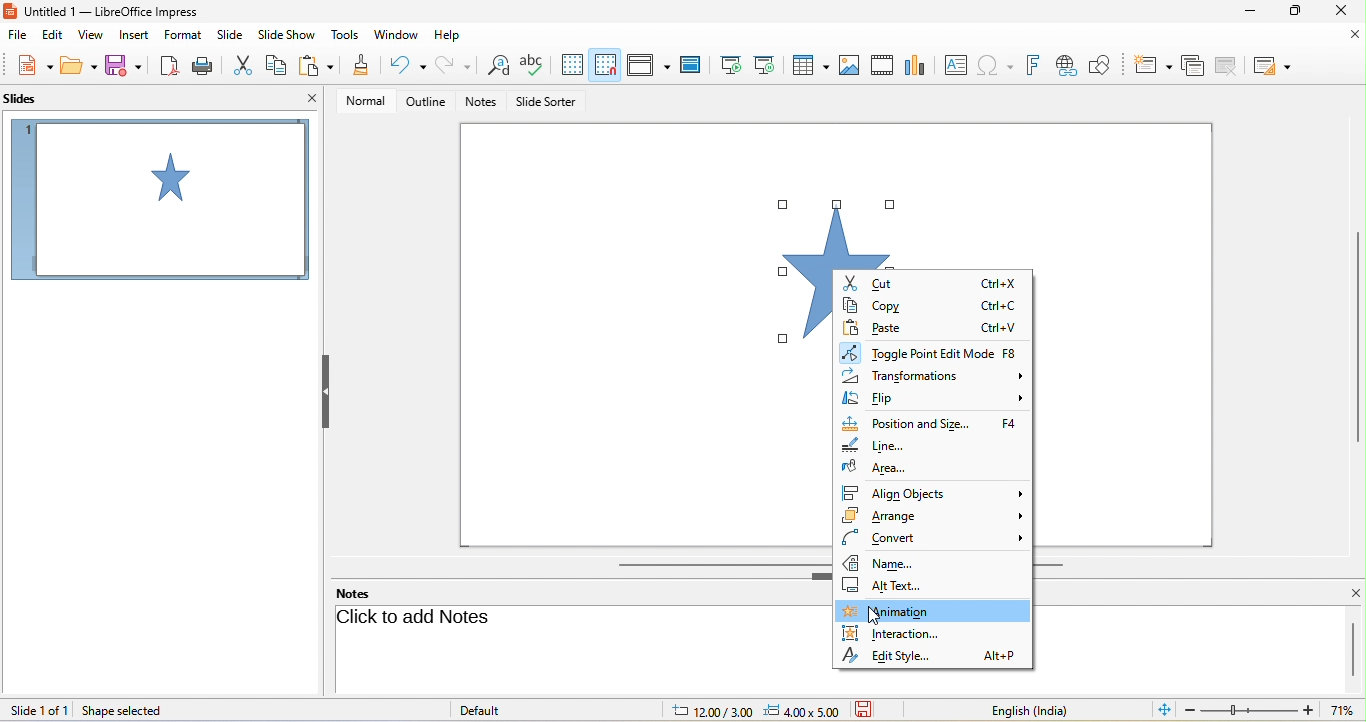  I want to click on image, so click(847, 65).